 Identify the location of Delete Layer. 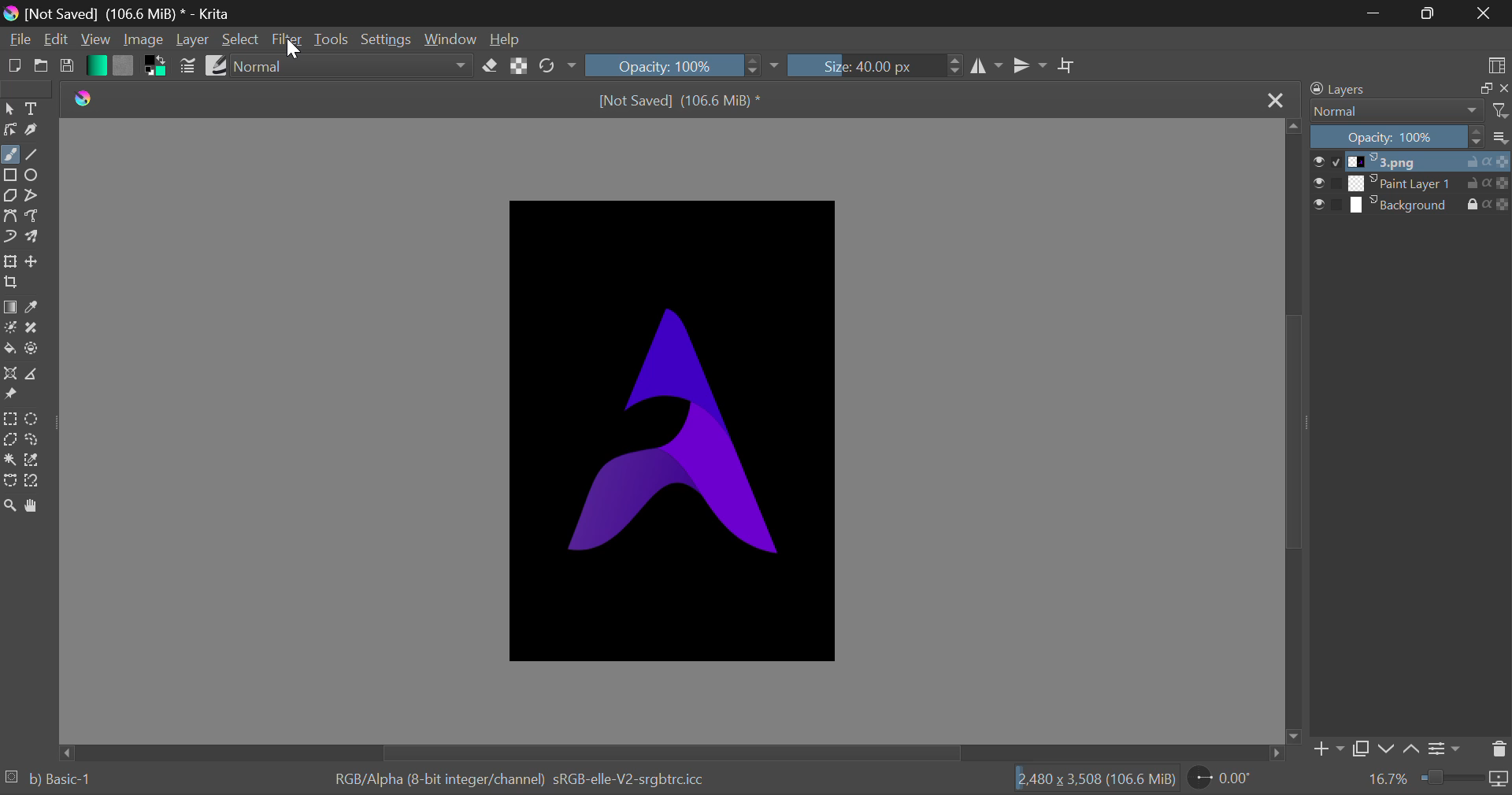
(1499, 749).